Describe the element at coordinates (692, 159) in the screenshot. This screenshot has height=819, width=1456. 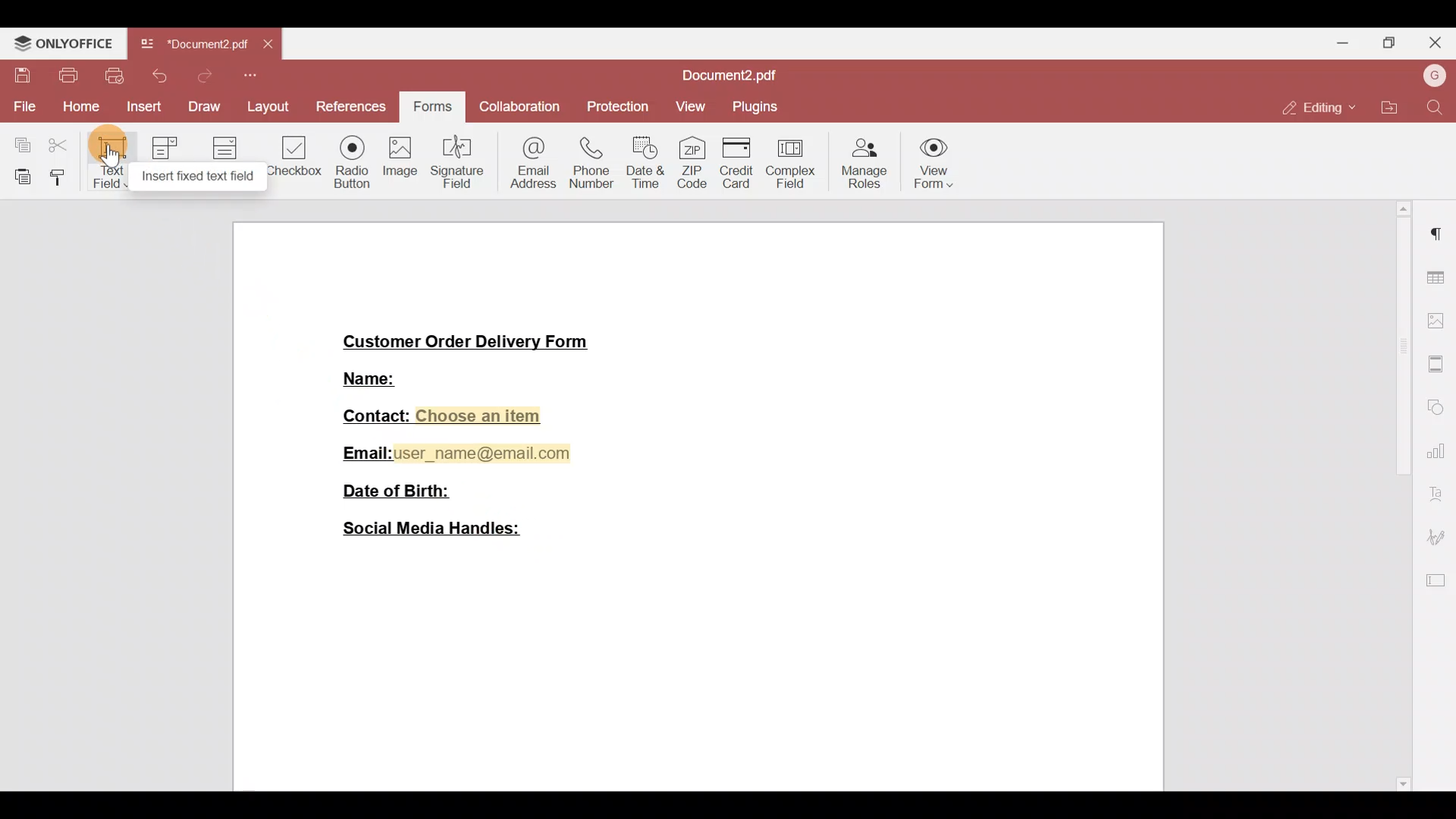
I see `ZIP code` at that location.